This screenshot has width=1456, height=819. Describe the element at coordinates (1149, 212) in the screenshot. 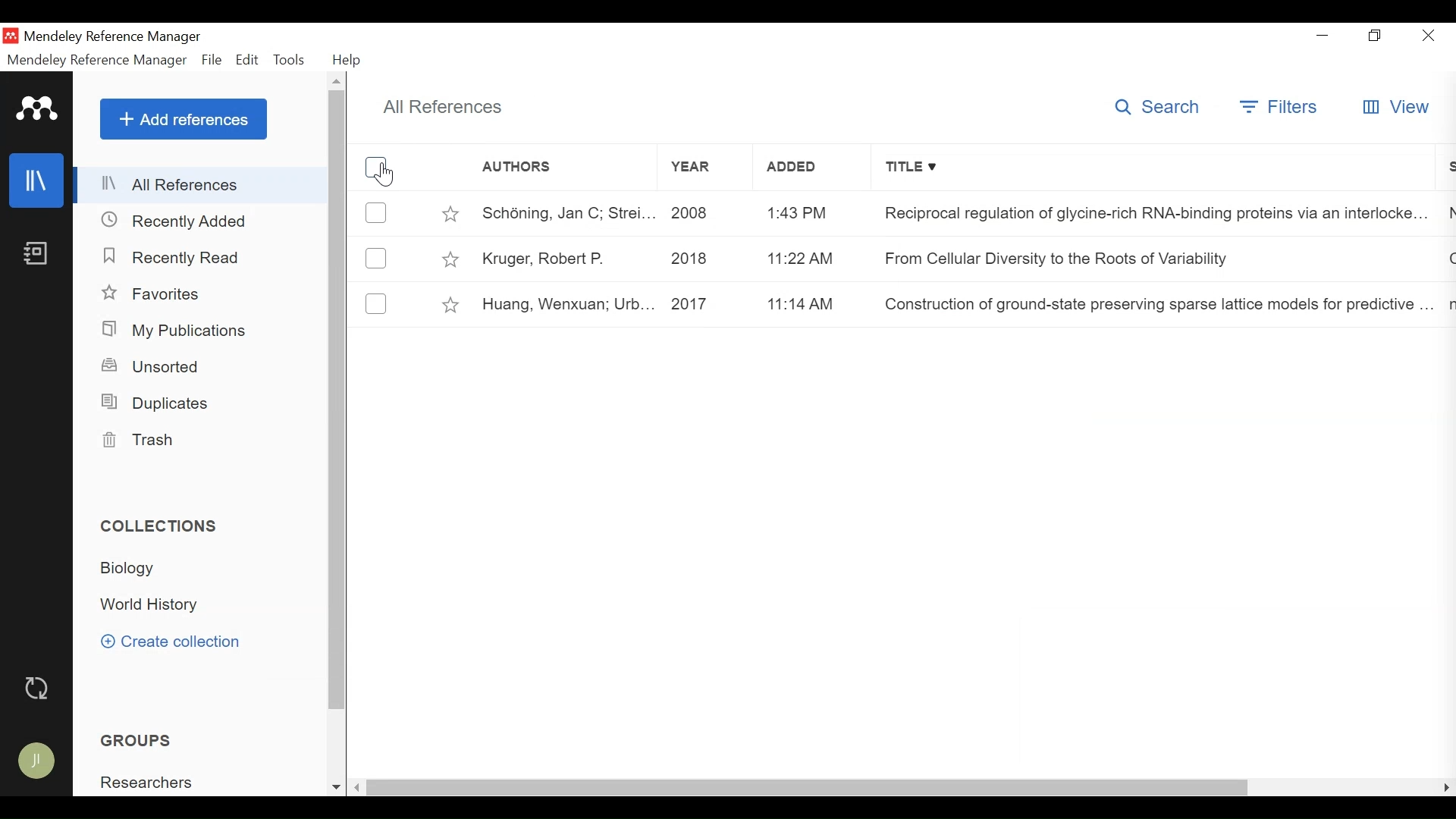

I see `Journal title` at that location.